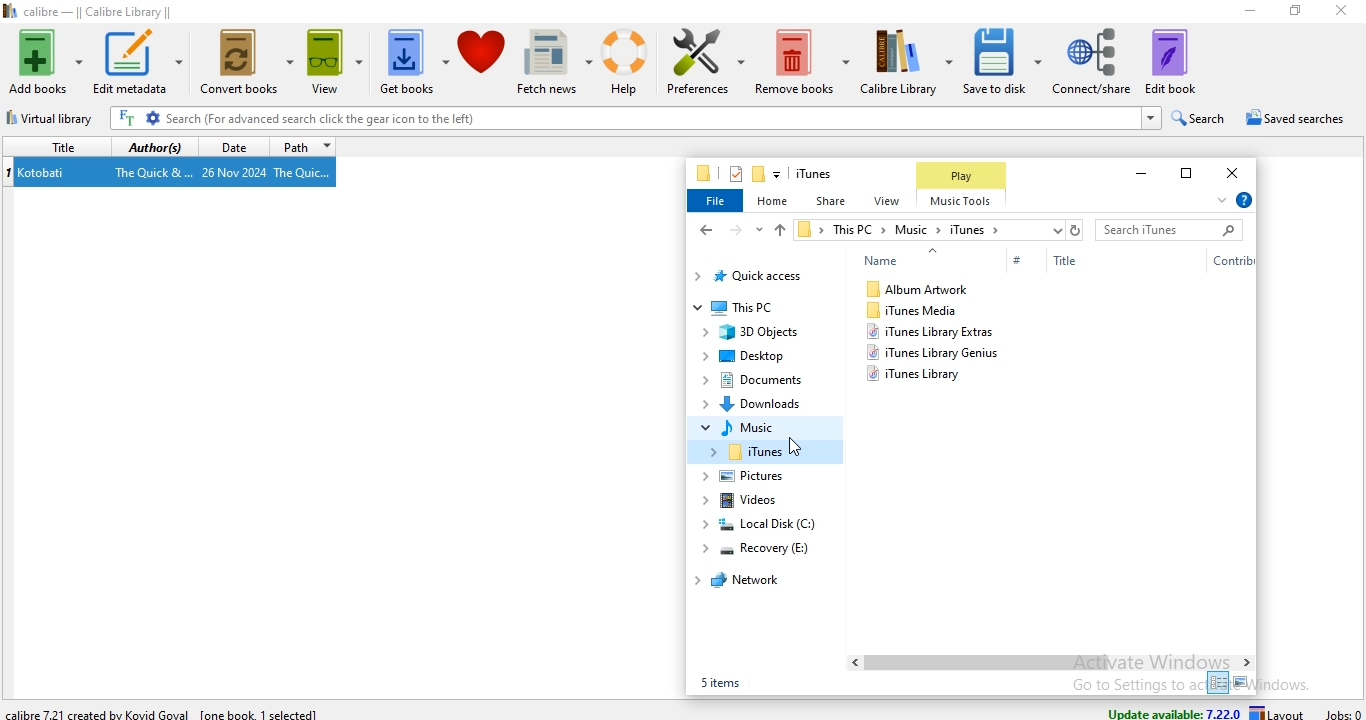  Describe the element at coordinates (765, 277) in the screenshot. I see `quick access` at that location.